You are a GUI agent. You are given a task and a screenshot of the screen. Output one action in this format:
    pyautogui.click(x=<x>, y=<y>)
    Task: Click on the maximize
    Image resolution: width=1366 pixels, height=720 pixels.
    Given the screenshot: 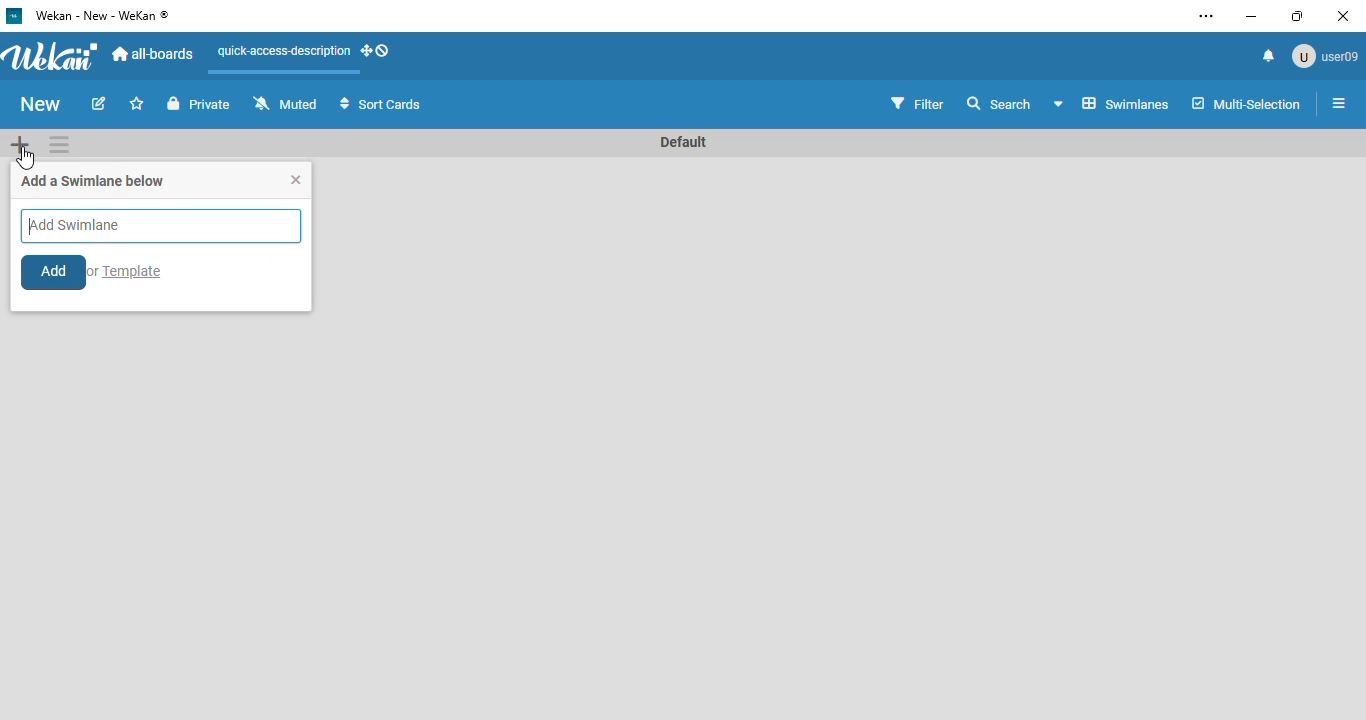 What is the action you would take?
    pyautogui.click(x=1298, y=16)
    